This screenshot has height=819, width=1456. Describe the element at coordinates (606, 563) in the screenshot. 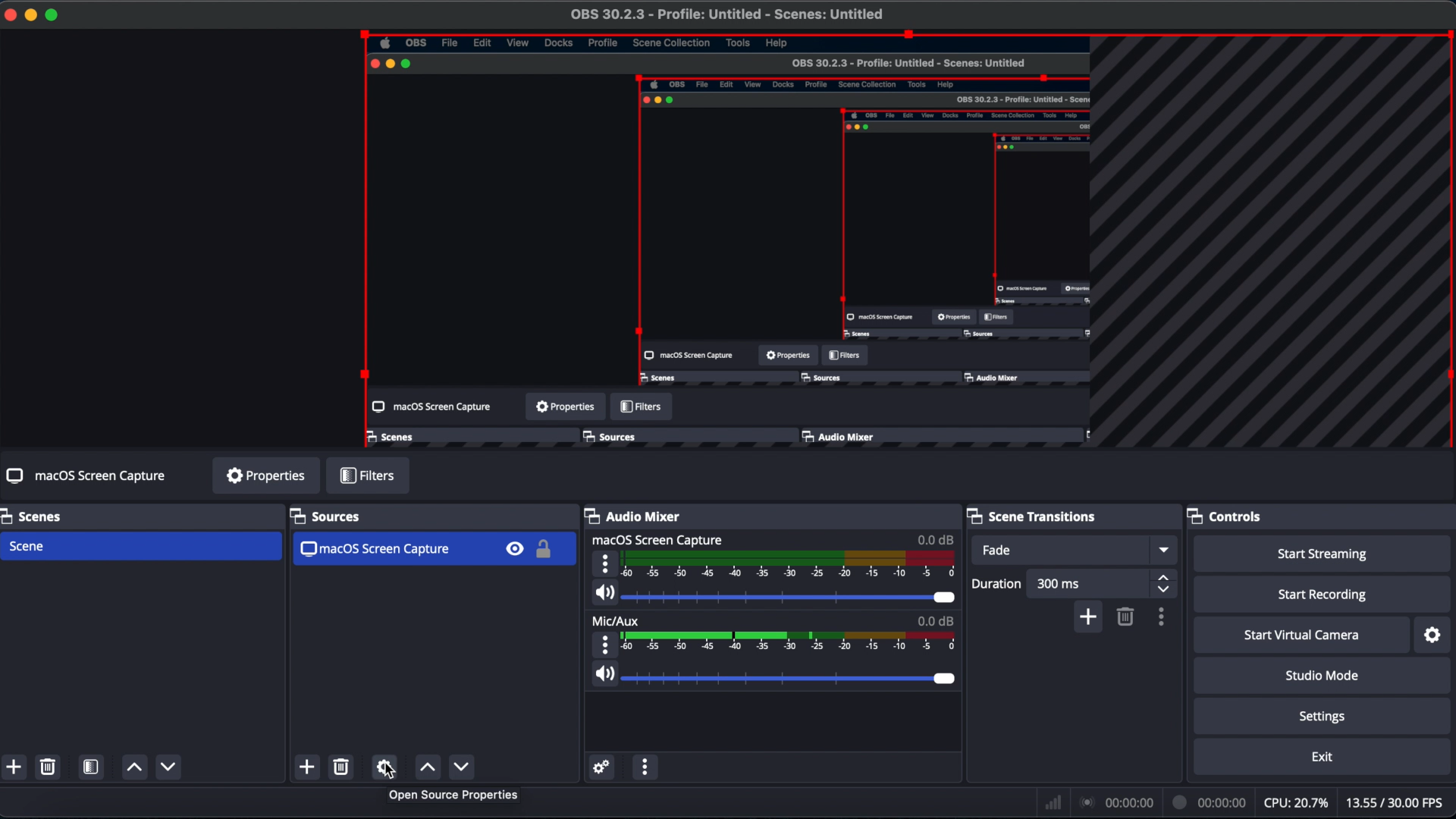

I see `volume properties` at that location.